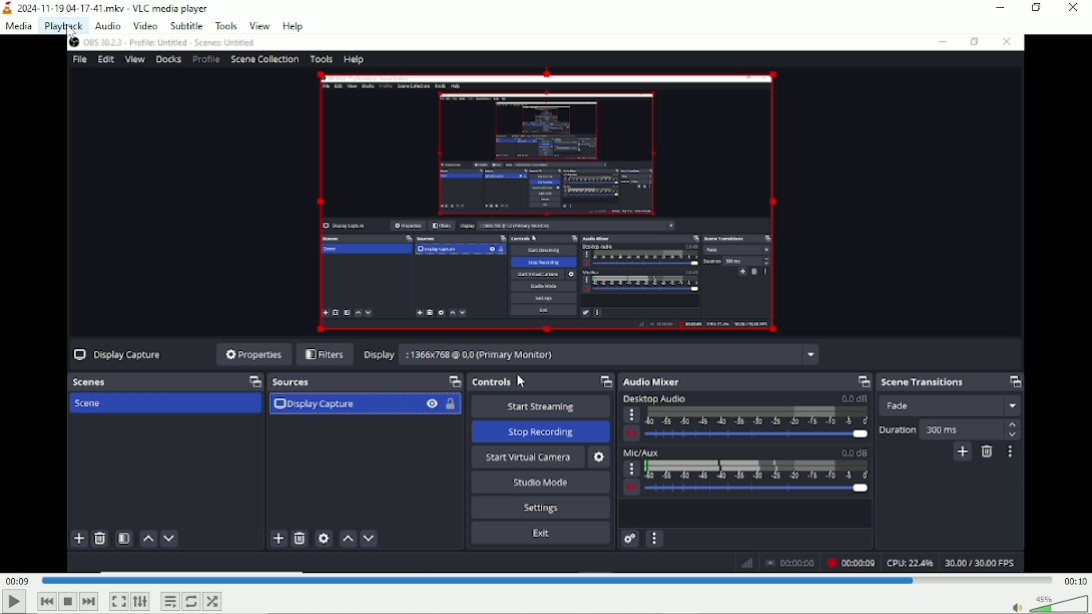 Image resolution: width=1092 pixels, height=614 pixels. What do you see at coordinates (212, 602) in the screenshot?
I see `random` at bounding box center [212, 602].